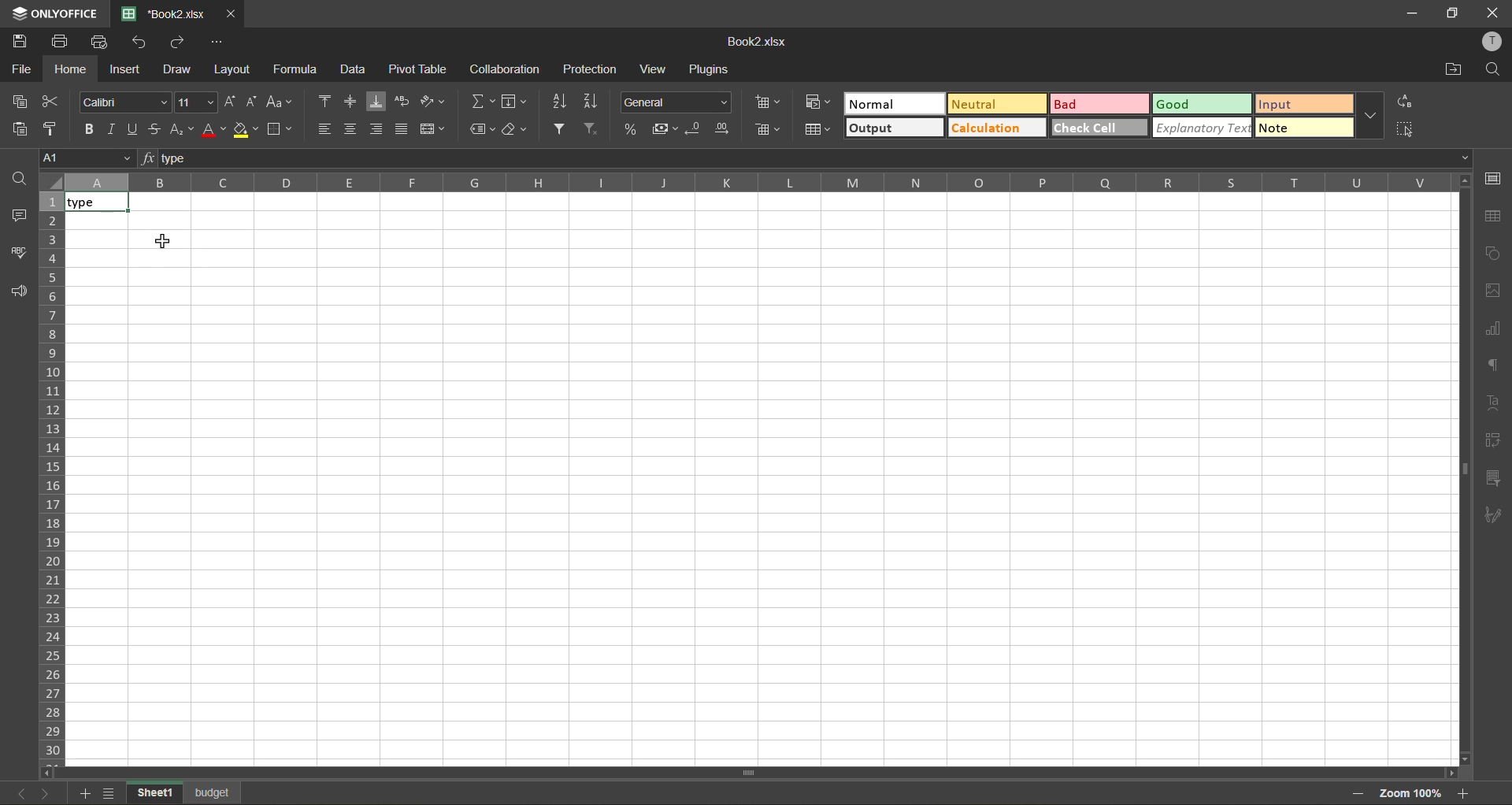 Image resolution: width=1512 pixels, height=805 pixels. What do you see at coordinates (892, 103) in the screenshot?
I see `normal` at bounding box center [892, 103].